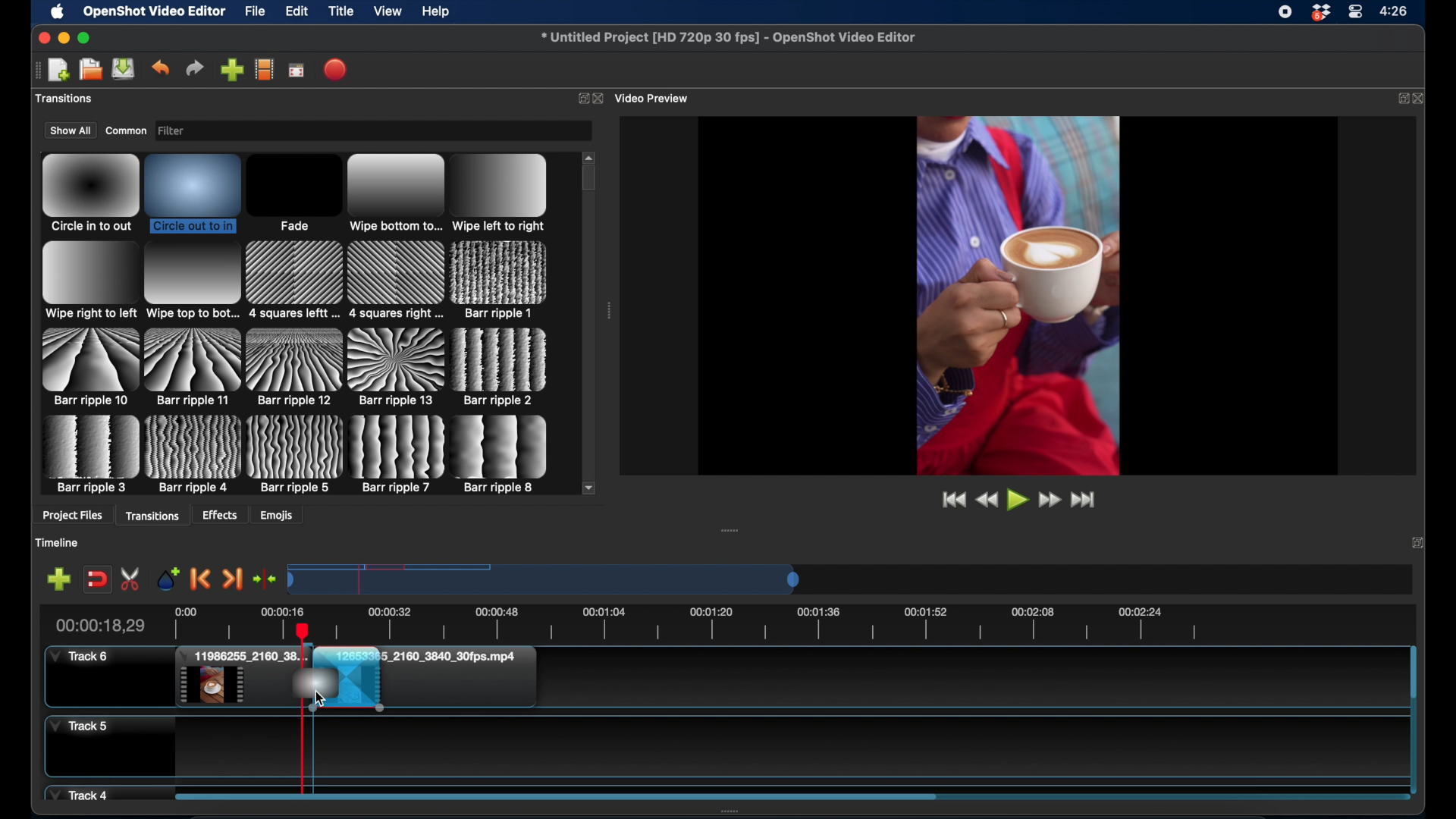  I want to click on expand, so click(581, 98).